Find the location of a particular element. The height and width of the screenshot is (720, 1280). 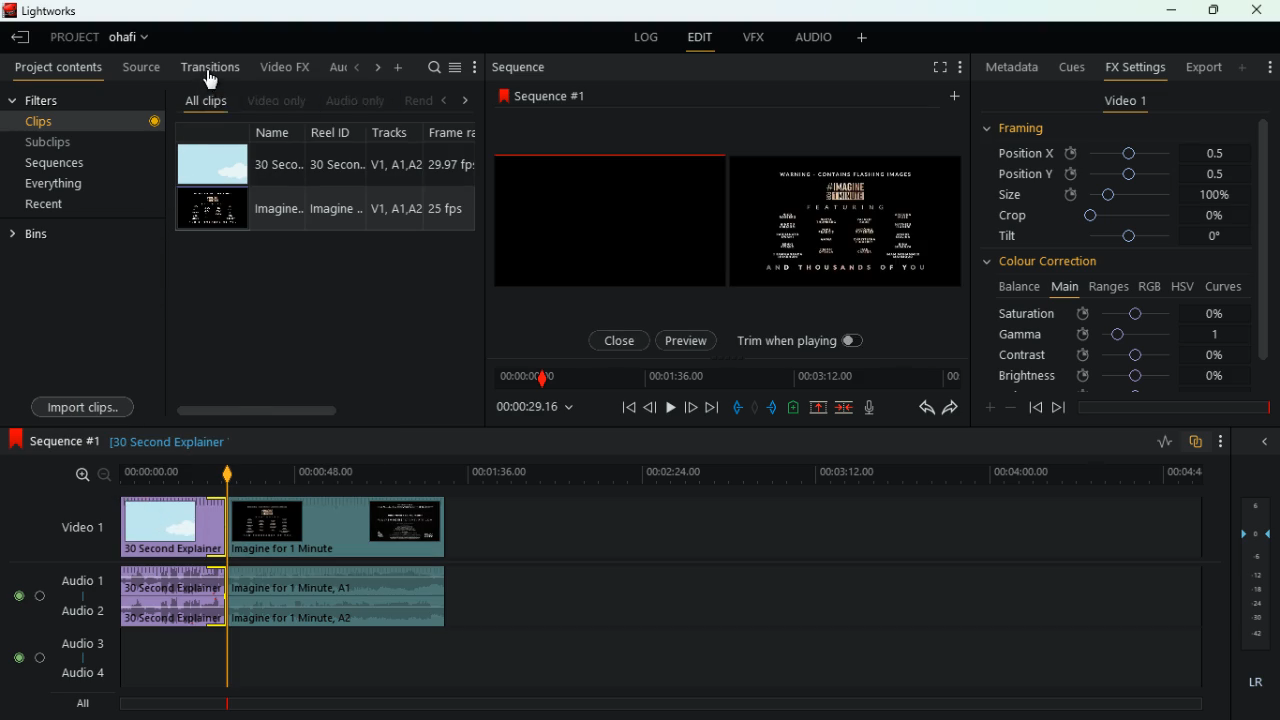

plus is located at coordinates (987, 409).